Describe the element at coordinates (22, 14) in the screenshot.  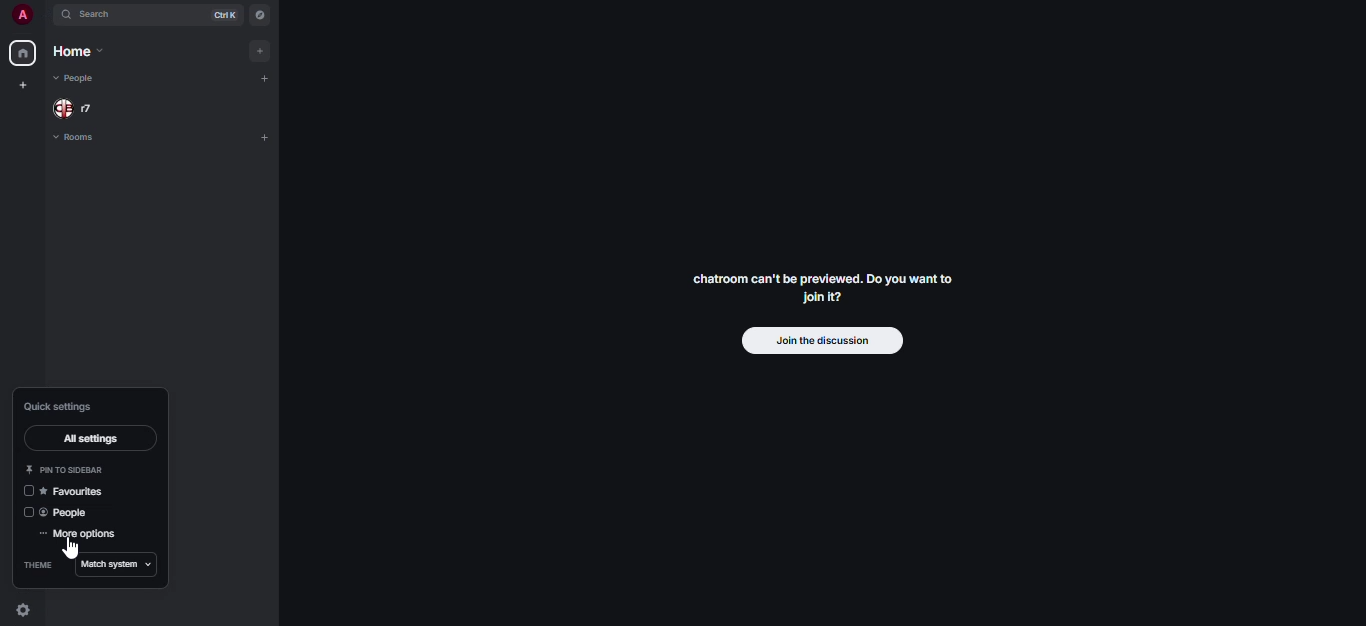
I see `profile` at that location.